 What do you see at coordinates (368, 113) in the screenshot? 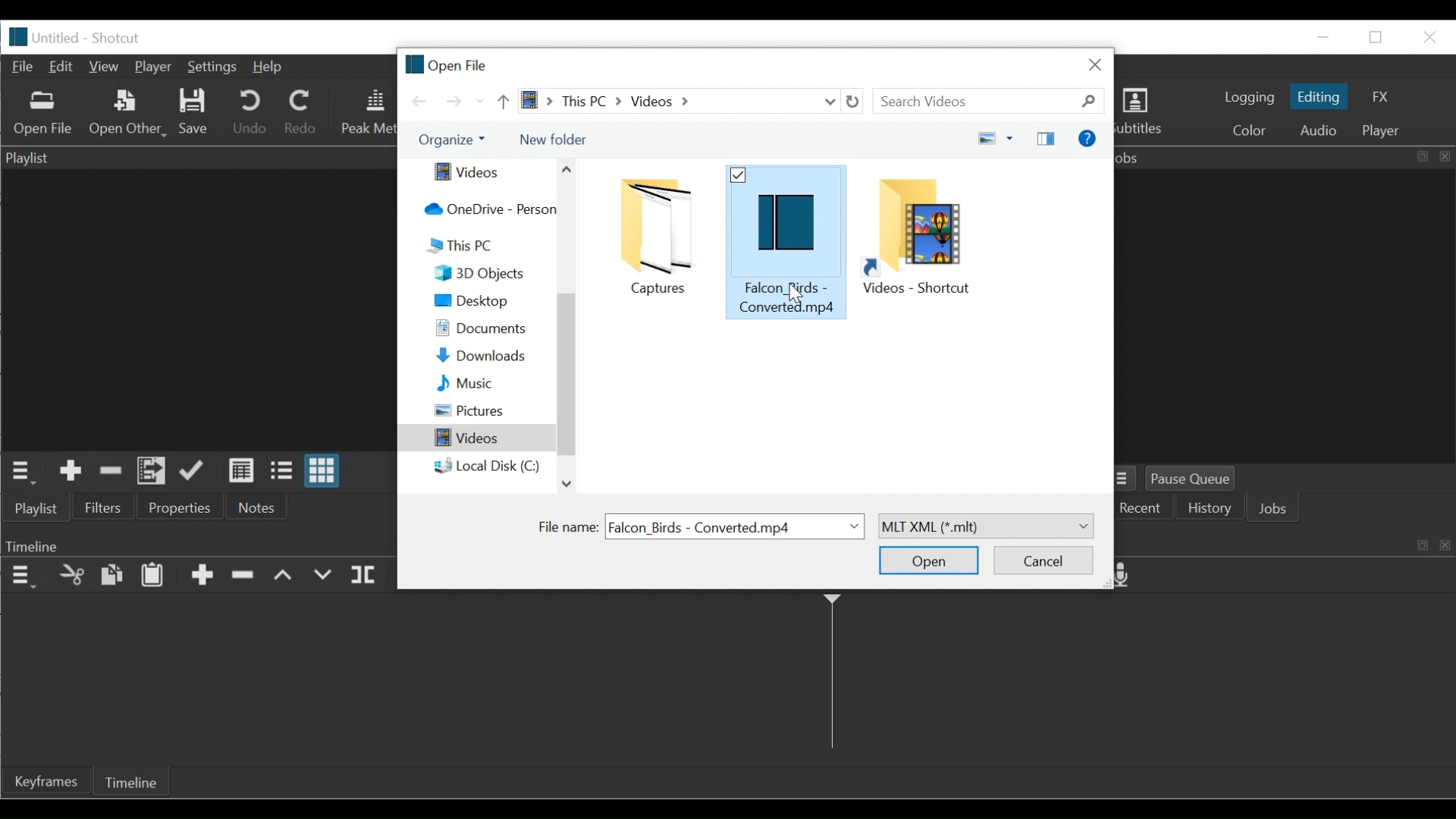
I see `Peak Meter` at bounding box center [368, 113].